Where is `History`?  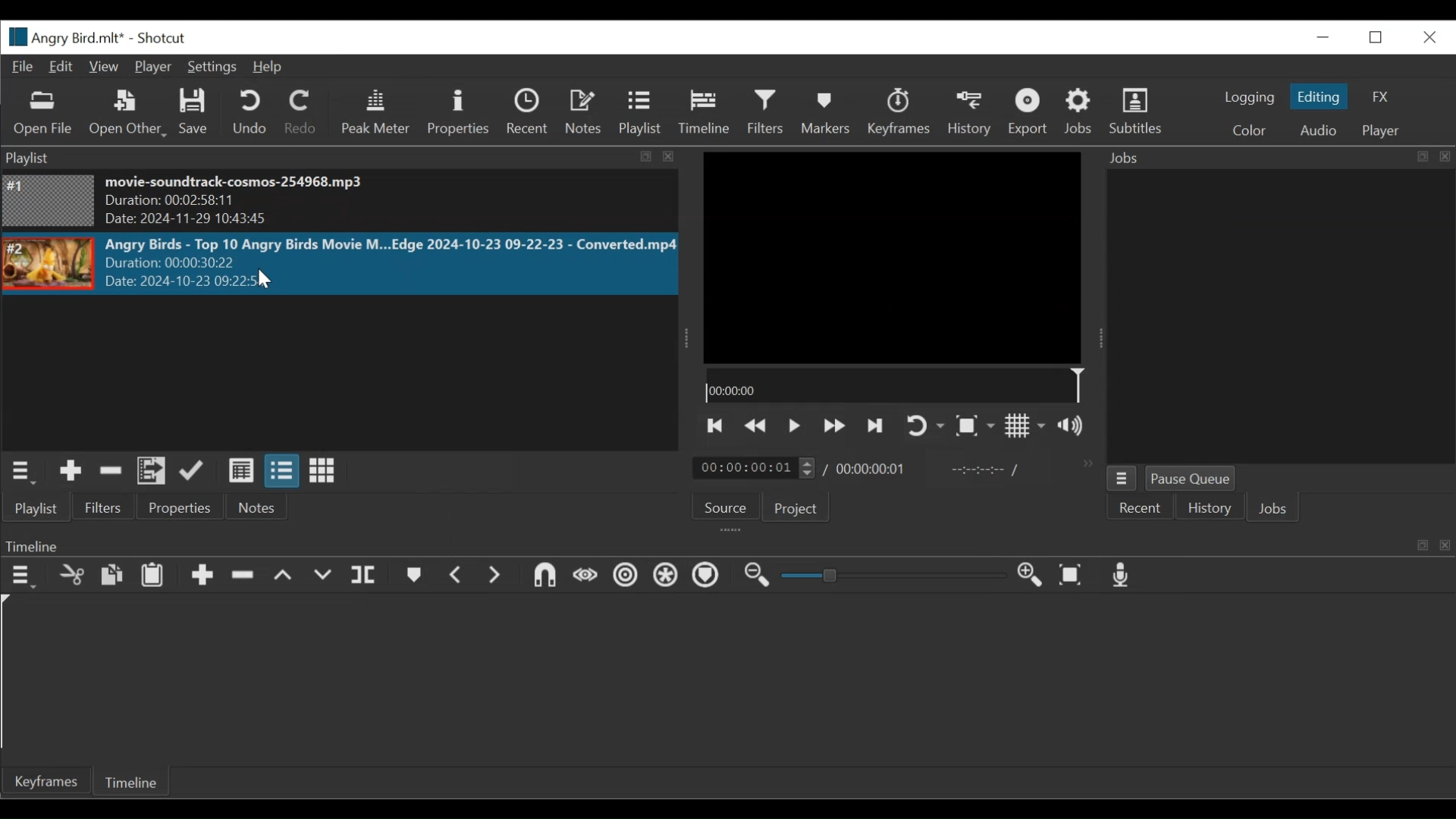 History is located at coordinates (968, 113).